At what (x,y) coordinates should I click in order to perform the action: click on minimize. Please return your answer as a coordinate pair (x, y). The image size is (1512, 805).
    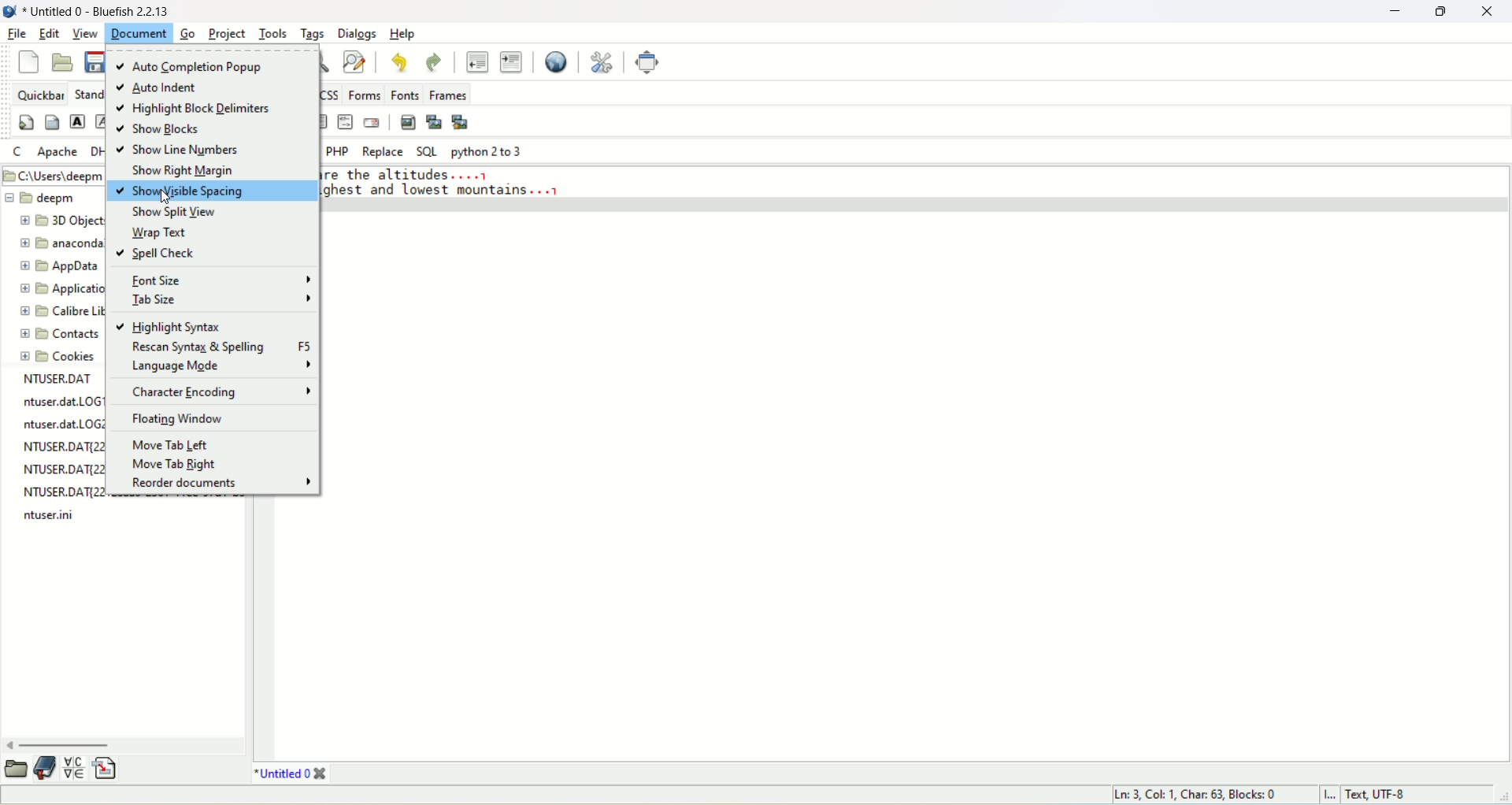
    Looking at the image, I should click on (1392, 13).